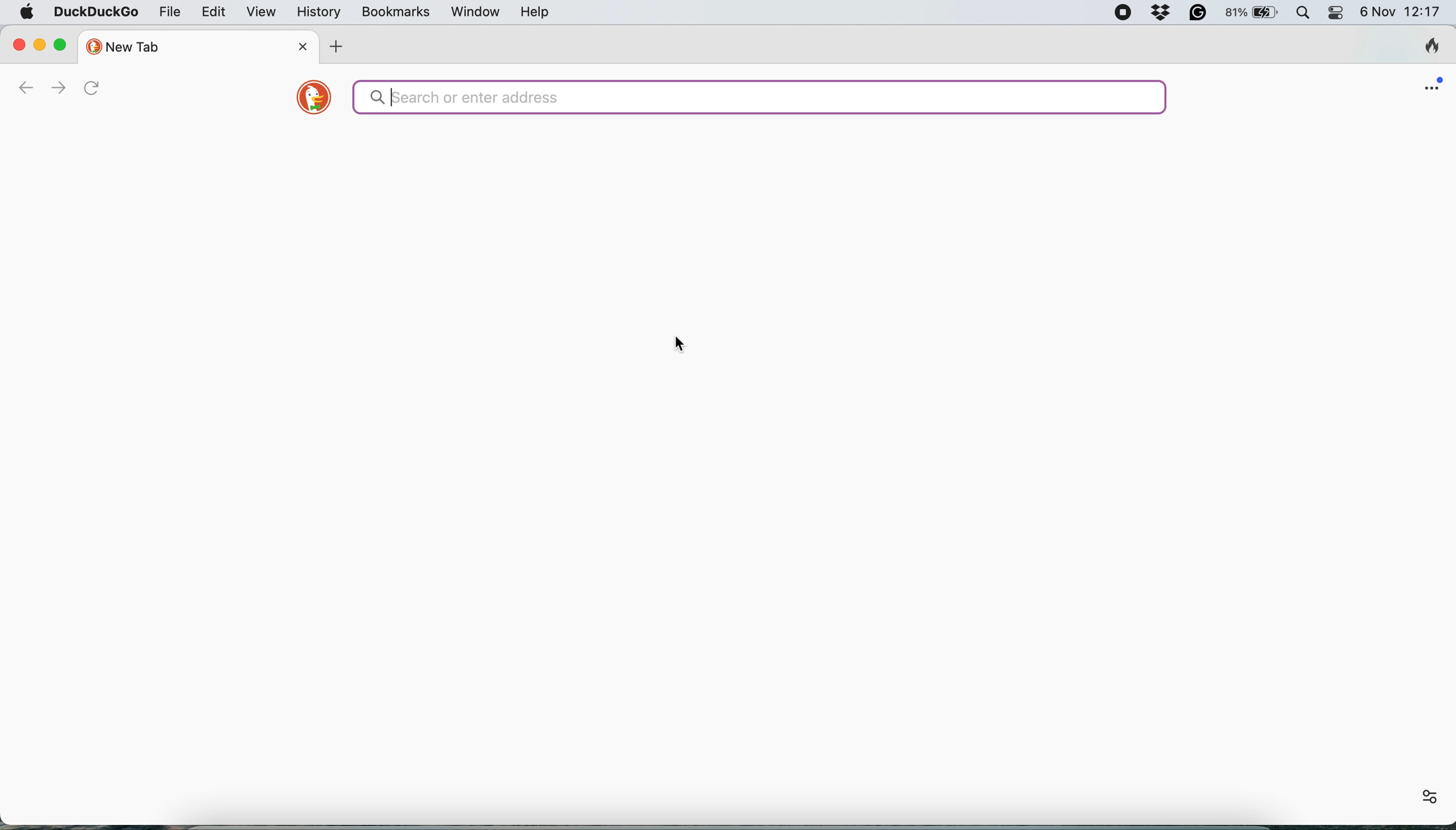 The height and width of the screenshot is (830, 1456). I want to click on close, so click(302, 46).